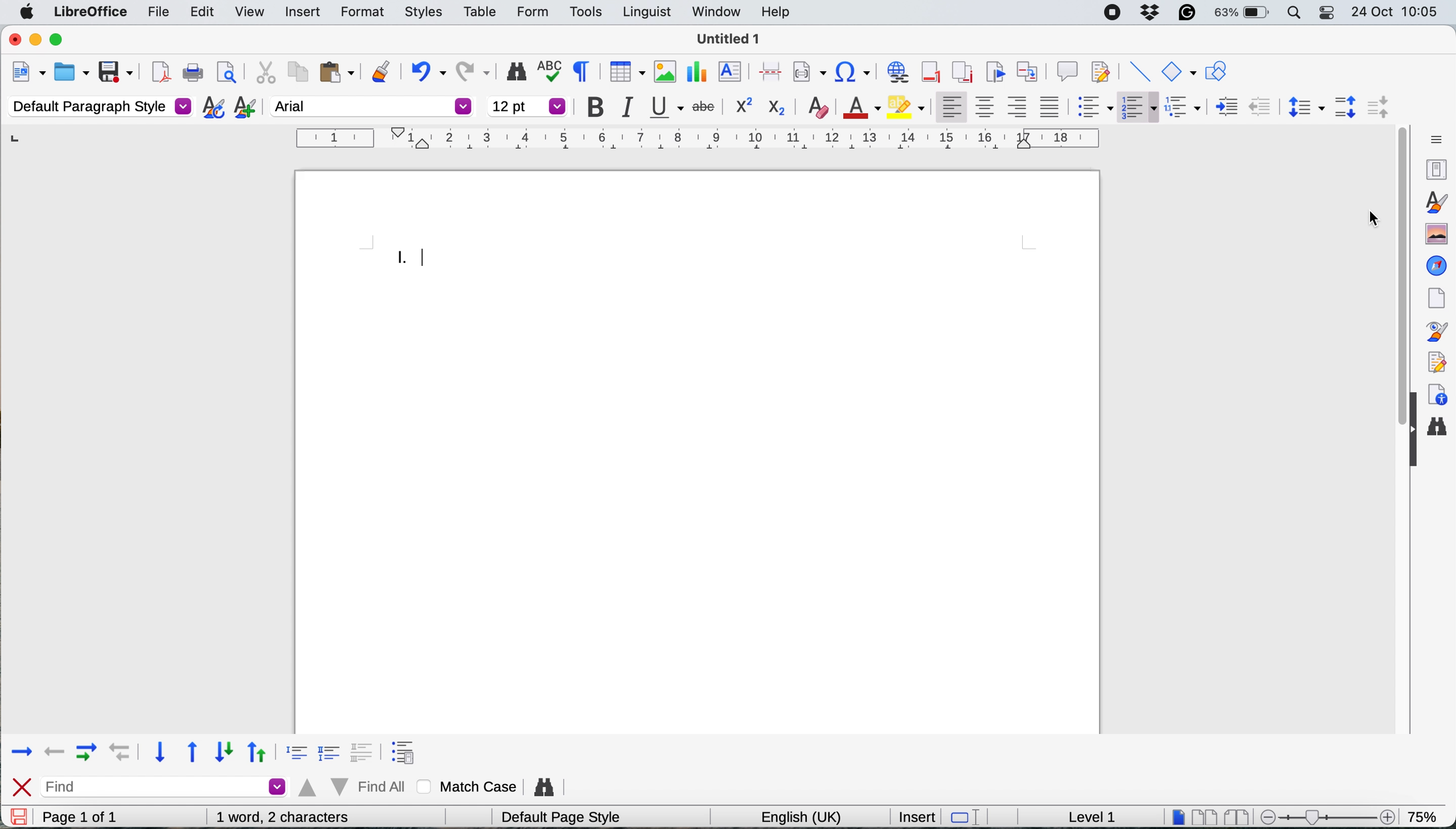 This screenshot has width=1456, height=829. What do you see at coordinates (121, 753) in the screenshot?
I see `backward with indent` at bounding box center [121, 753].